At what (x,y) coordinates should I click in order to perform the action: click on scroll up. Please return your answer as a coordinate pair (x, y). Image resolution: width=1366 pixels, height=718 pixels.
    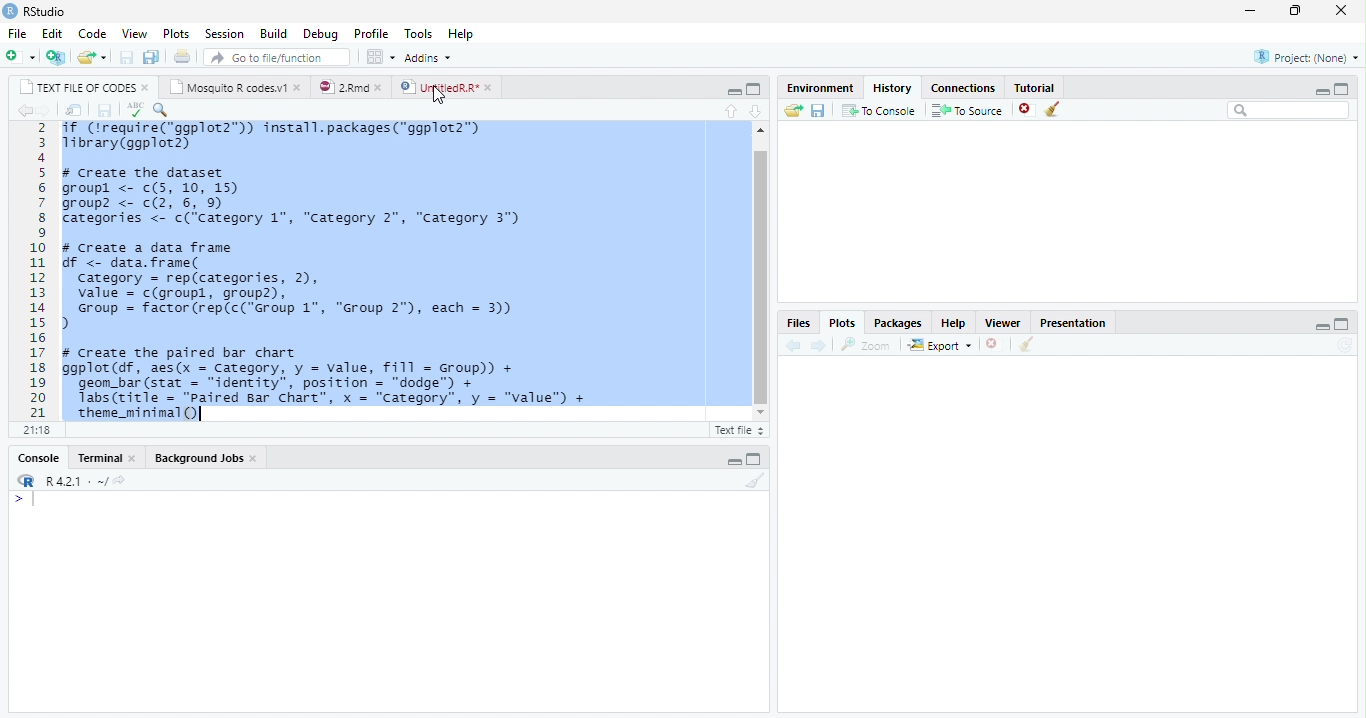
    Looking at the image, I should click on (761, 130).